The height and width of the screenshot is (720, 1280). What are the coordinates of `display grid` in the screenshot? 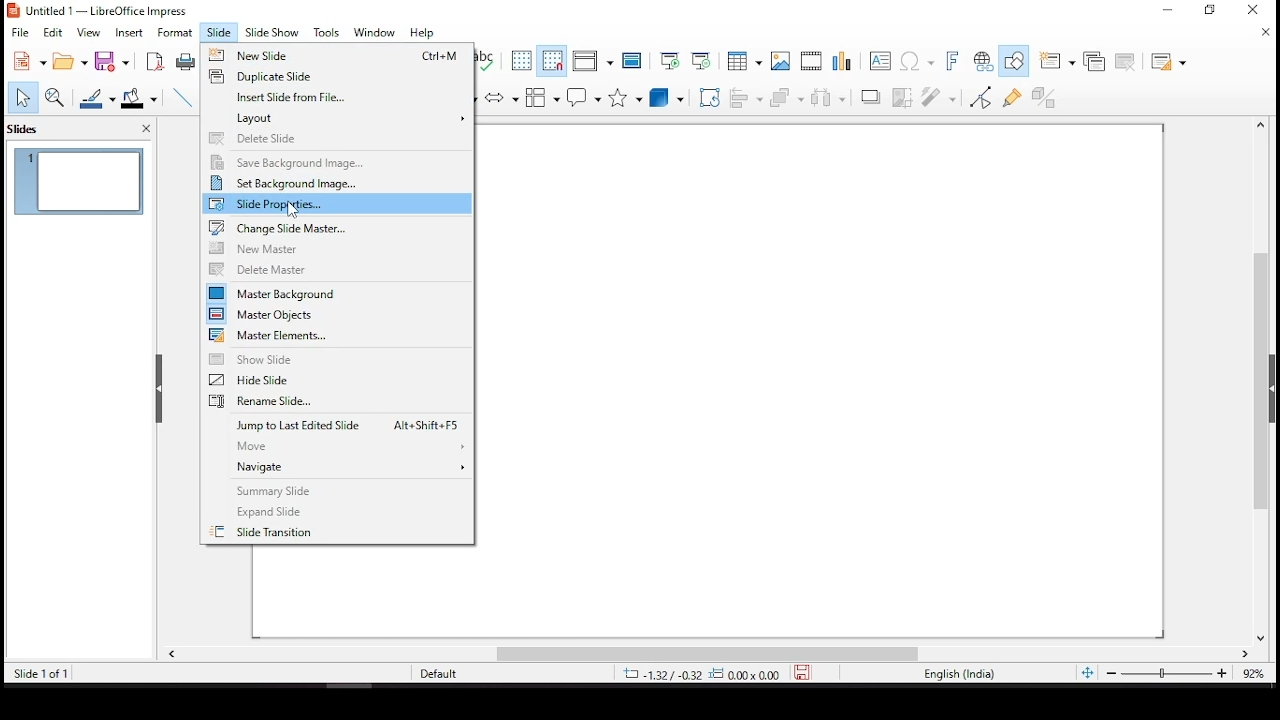 It's located at (521, 60).